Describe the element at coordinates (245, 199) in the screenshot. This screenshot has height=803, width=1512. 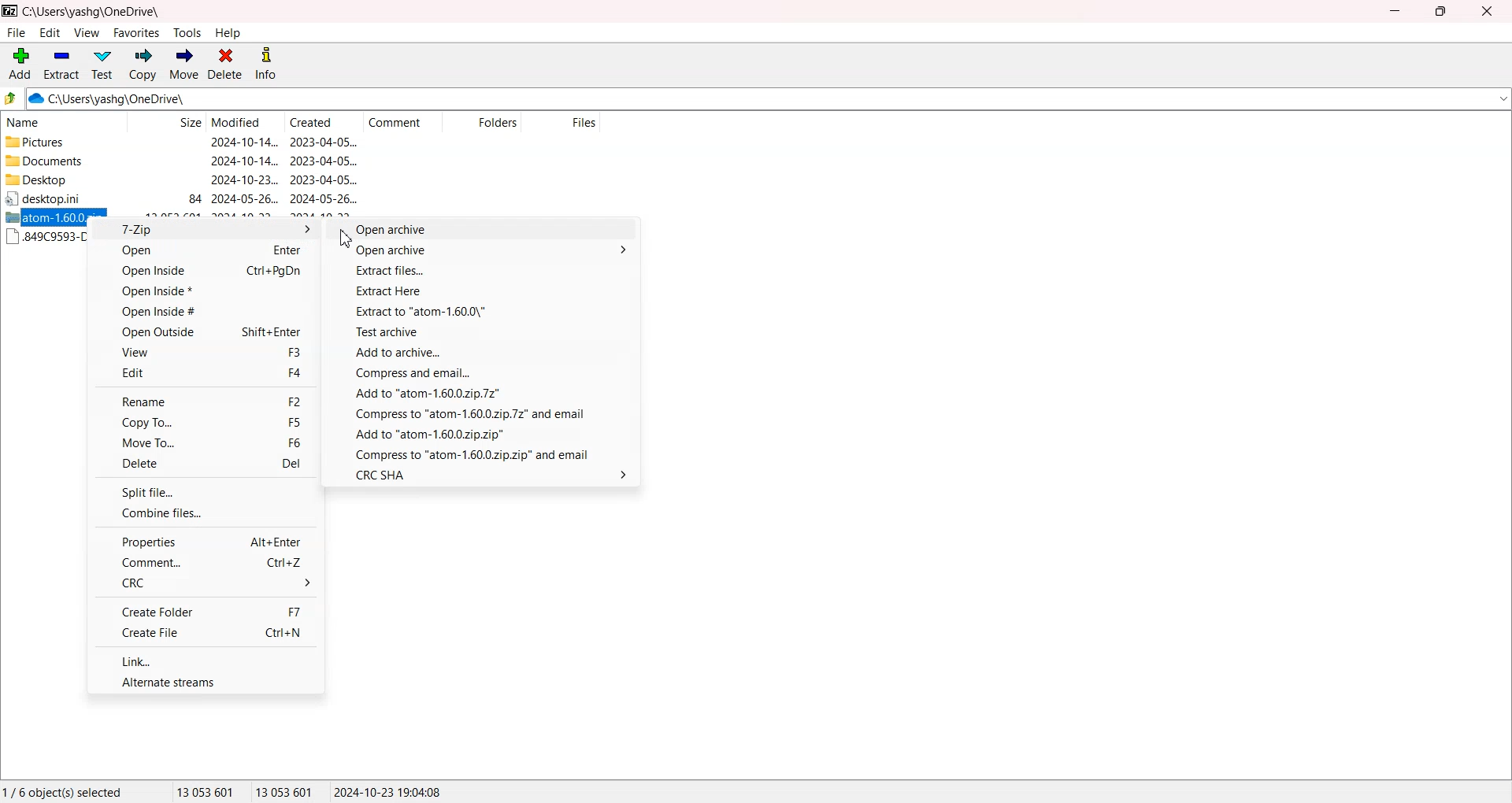
I see `2024-05-26` at that location.